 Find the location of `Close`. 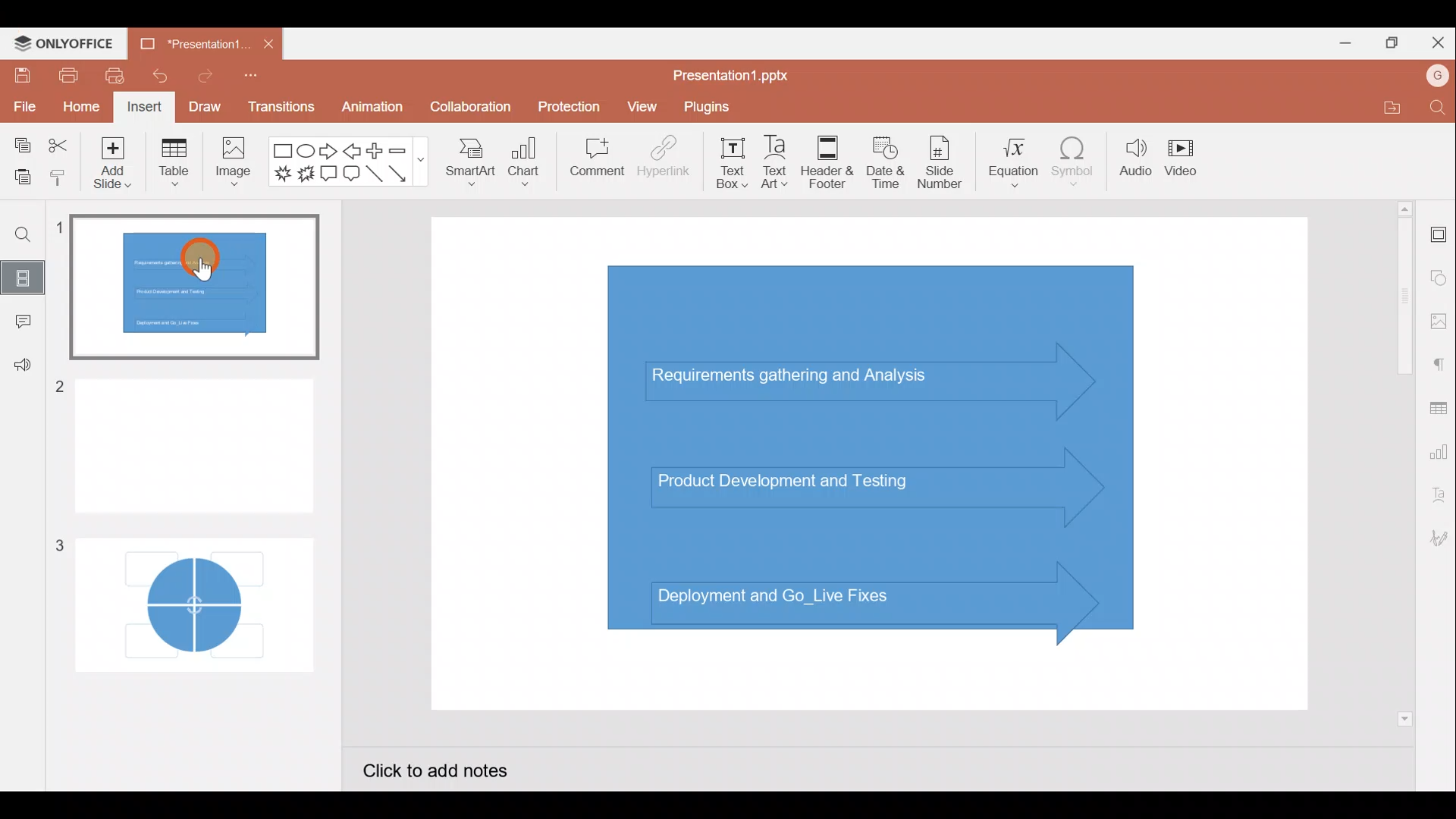

Close is located at coordinates (1439, 40).